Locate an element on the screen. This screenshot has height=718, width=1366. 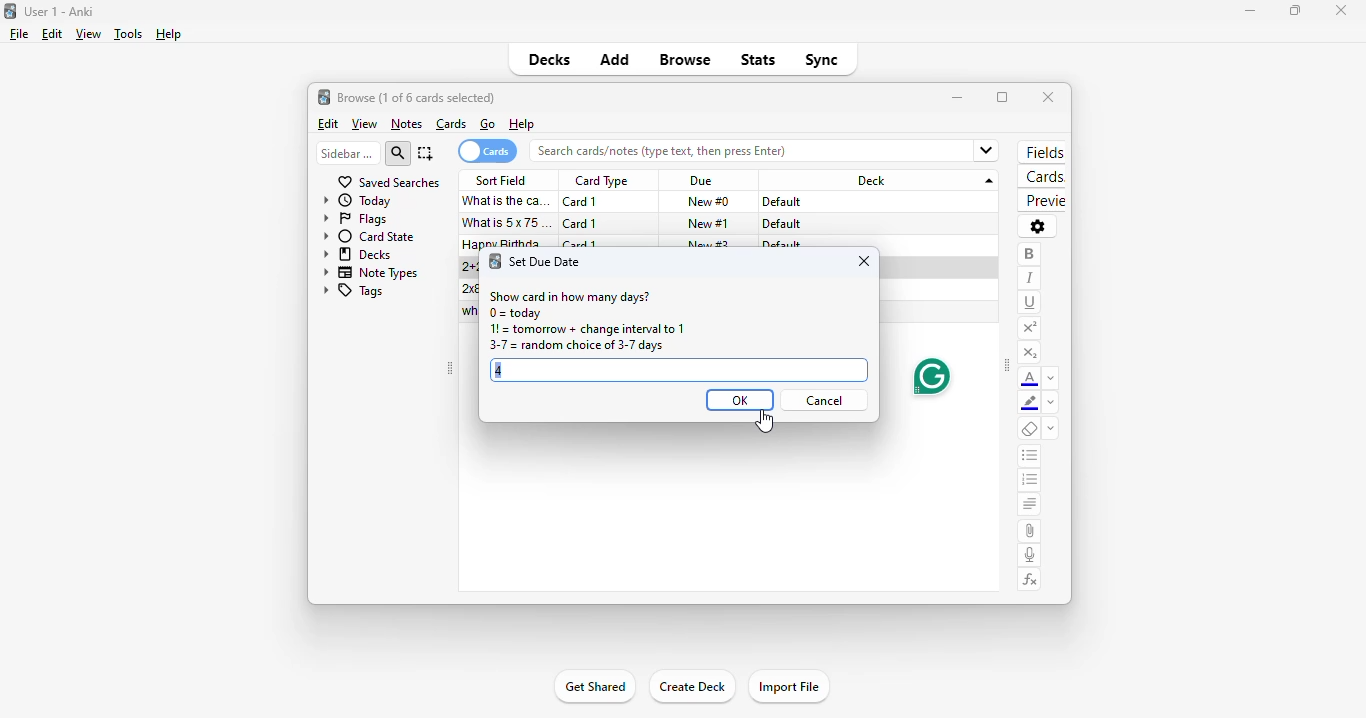
change color is located at coordinates (1051, 404).